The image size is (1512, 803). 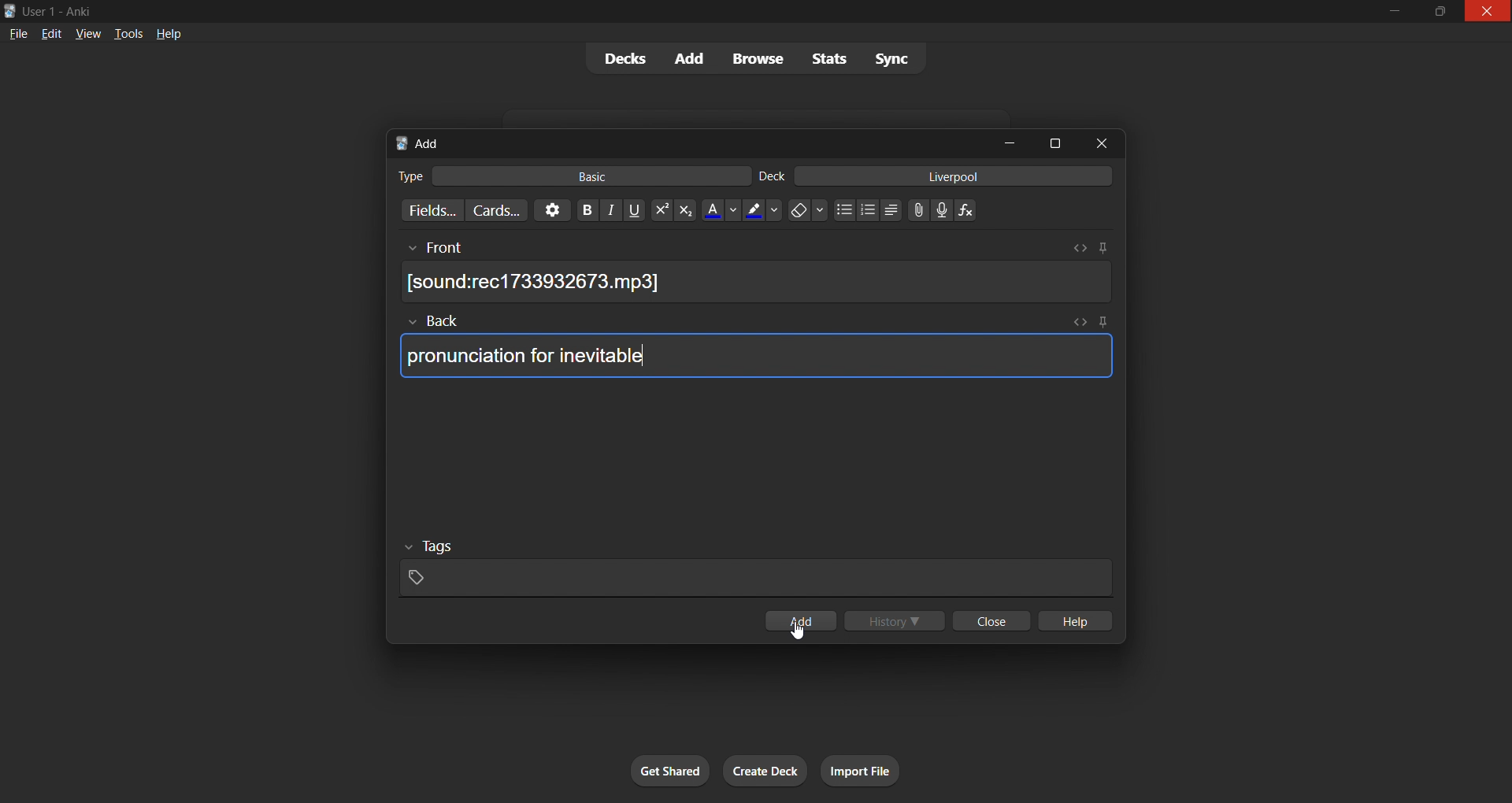 What do you see at coordinates (806, 618) in the screenshot?
I see `add` at bounding box center [806, 618].